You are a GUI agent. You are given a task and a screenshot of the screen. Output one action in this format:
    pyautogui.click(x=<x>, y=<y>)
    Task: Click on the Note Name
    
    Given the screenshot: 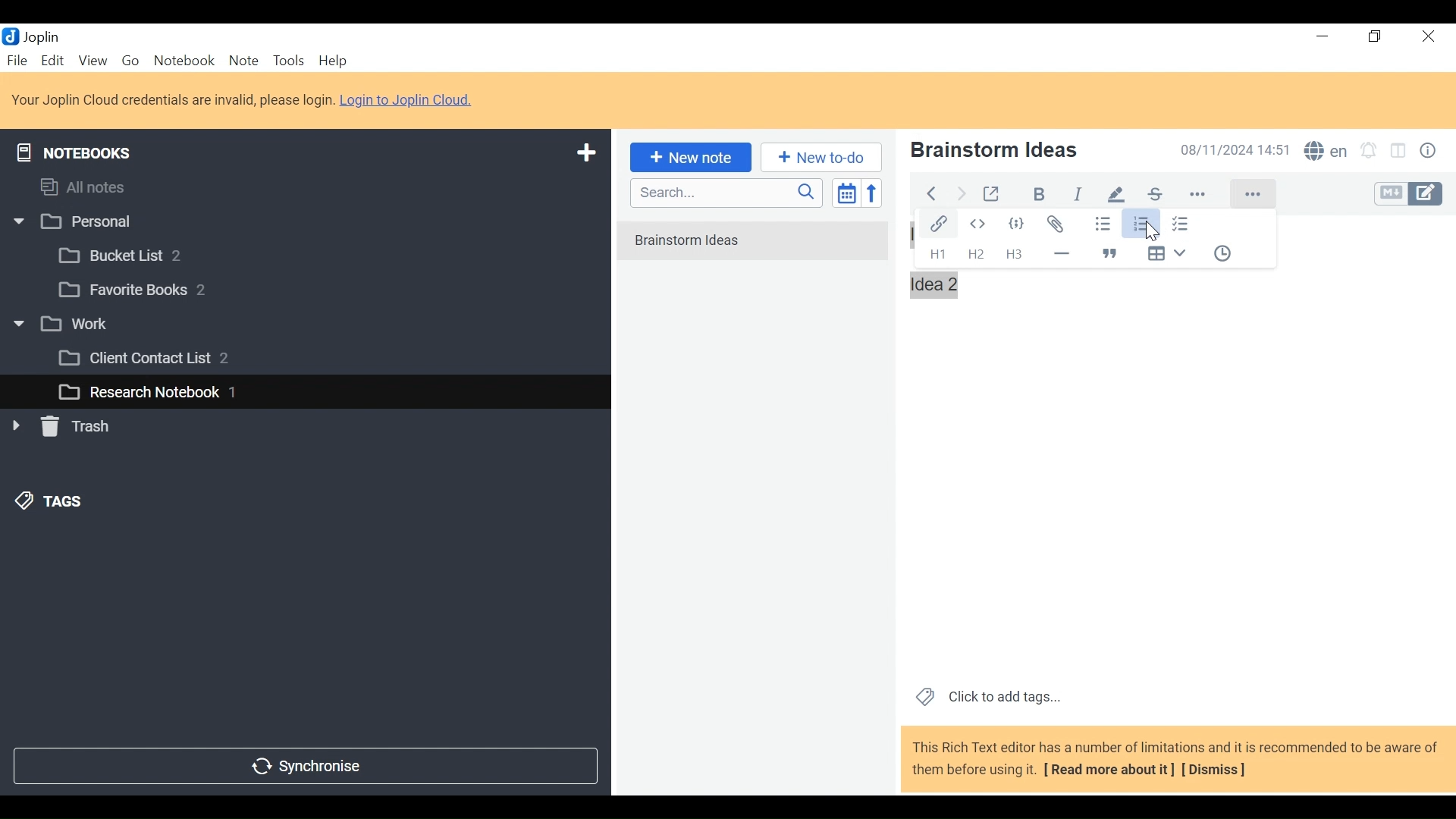 What is the action you would take?
    pyautogui.click(x=1026, y=152)
    